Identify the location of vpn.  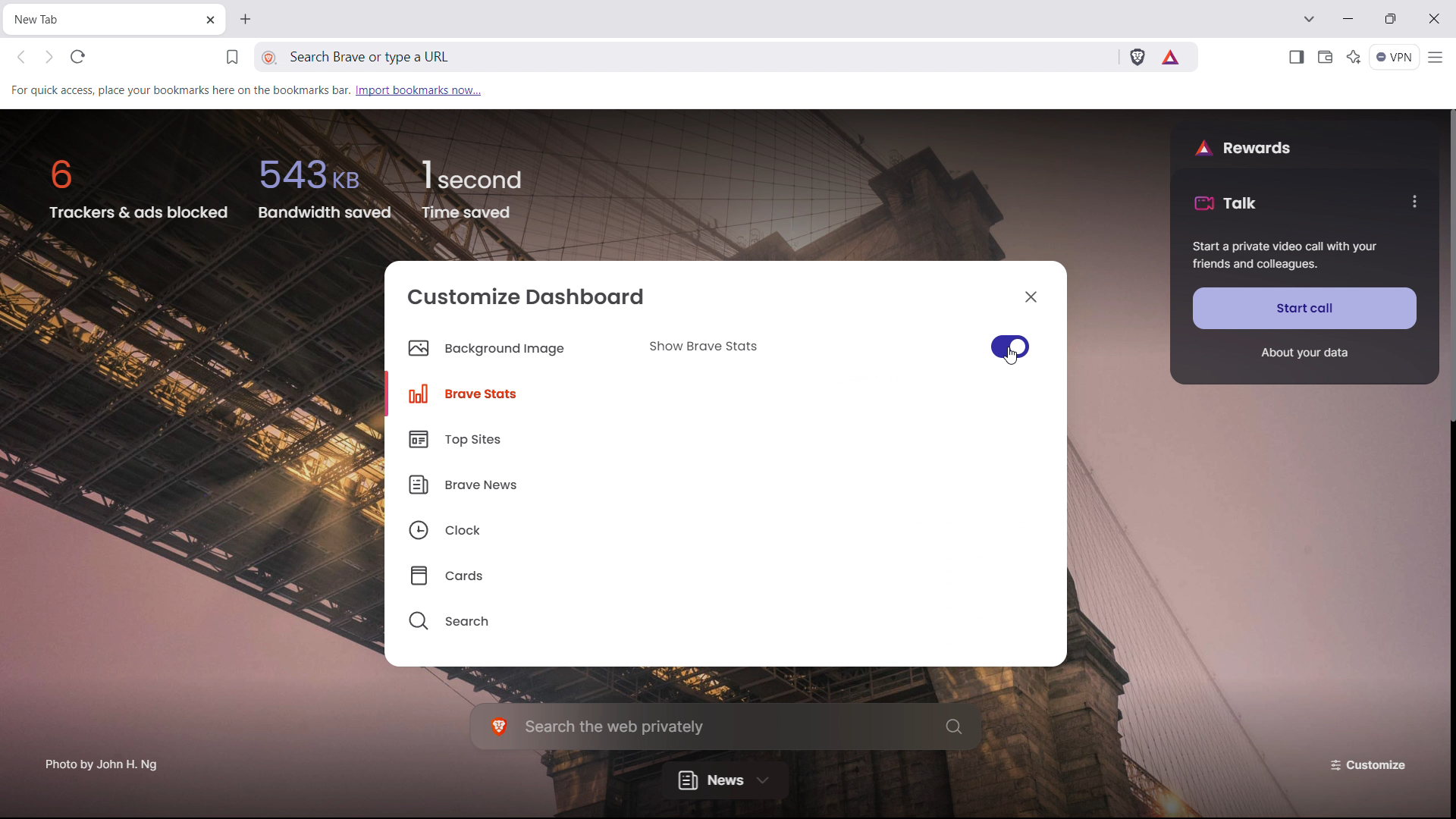
(1395, 58).